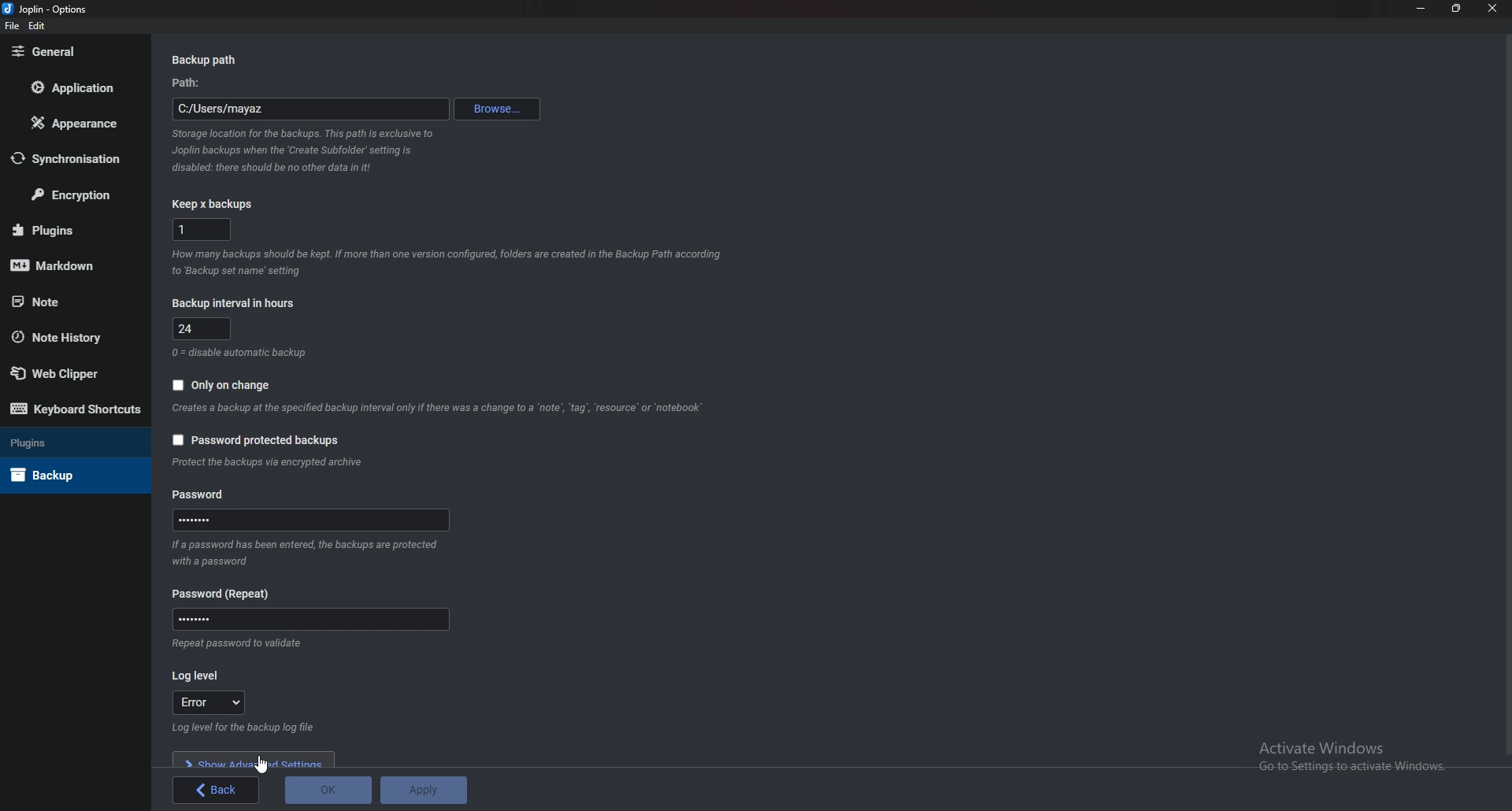 The image size is (1512, 811). Describe the element at coordinates (204, 229) in the screenshot. I see `x` at that location.